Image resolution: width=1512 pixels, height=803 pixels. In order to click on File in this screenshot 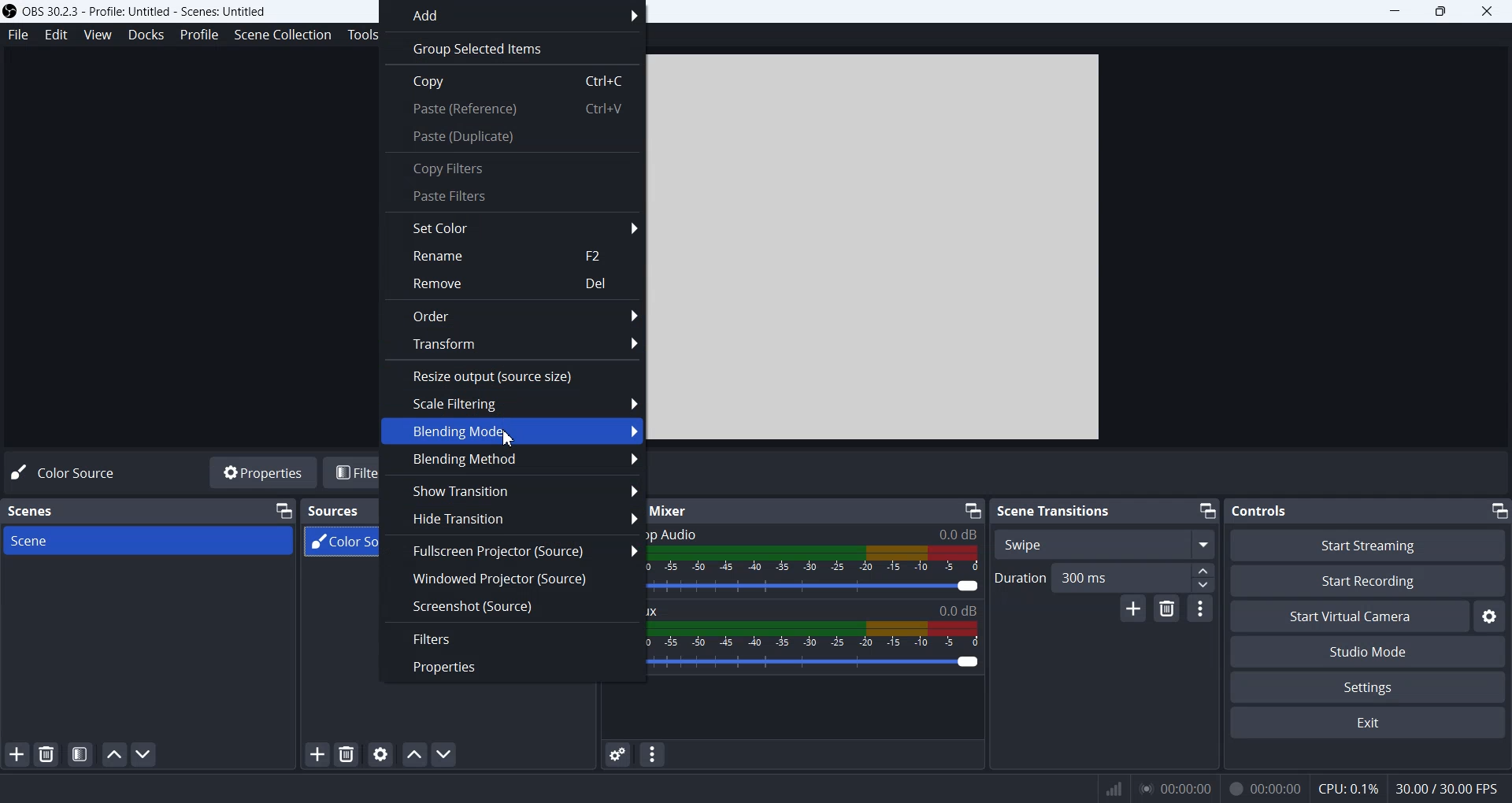, I will do `click(17, 36)`.